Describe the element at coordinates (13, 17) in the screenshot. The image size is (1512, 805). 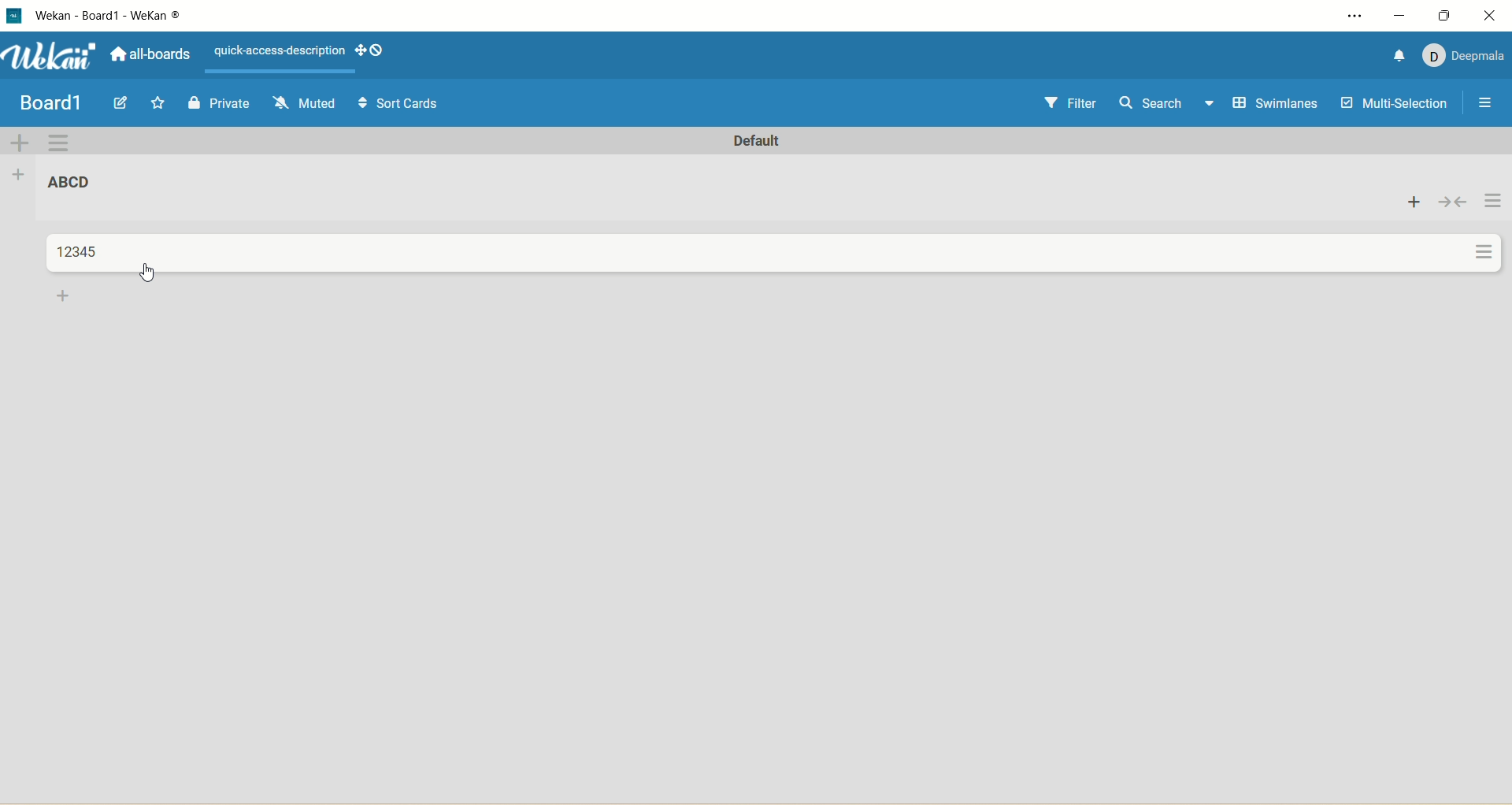
I see `logo` at that location.